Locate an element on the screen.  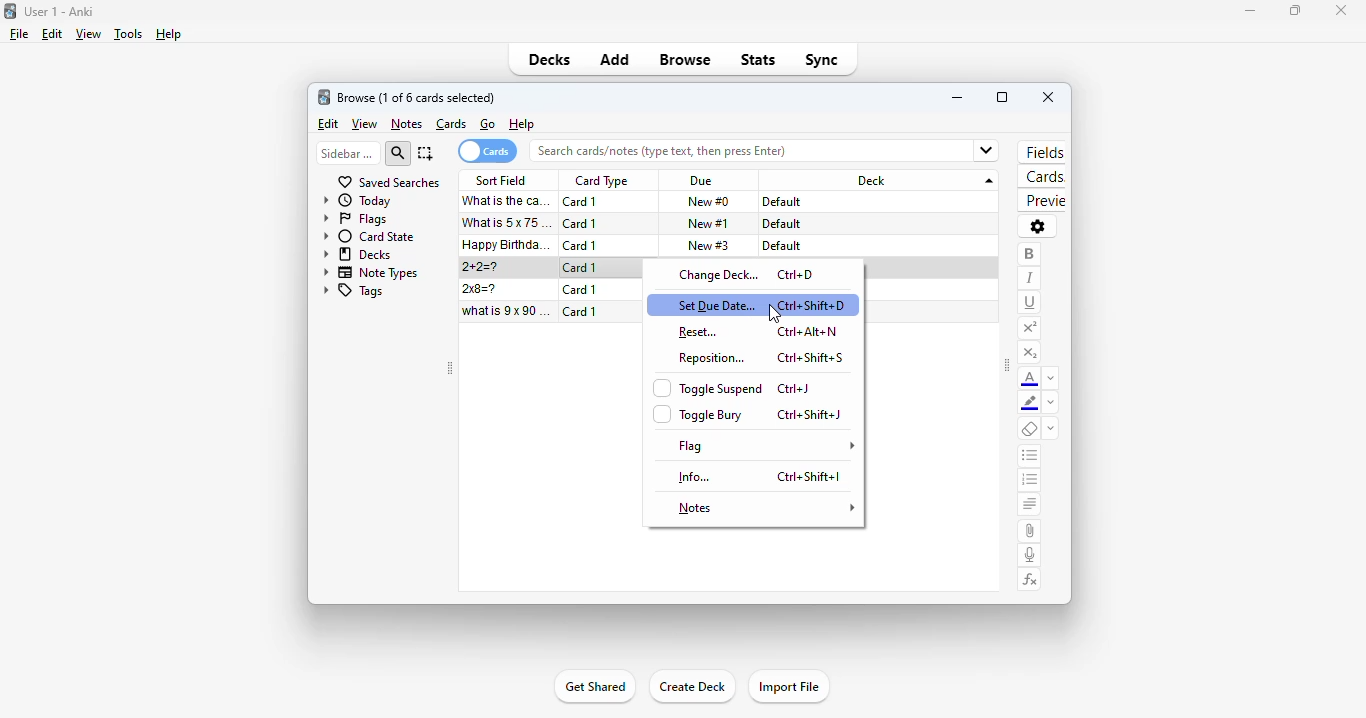
minimize is located at coordinates (1244, 11).